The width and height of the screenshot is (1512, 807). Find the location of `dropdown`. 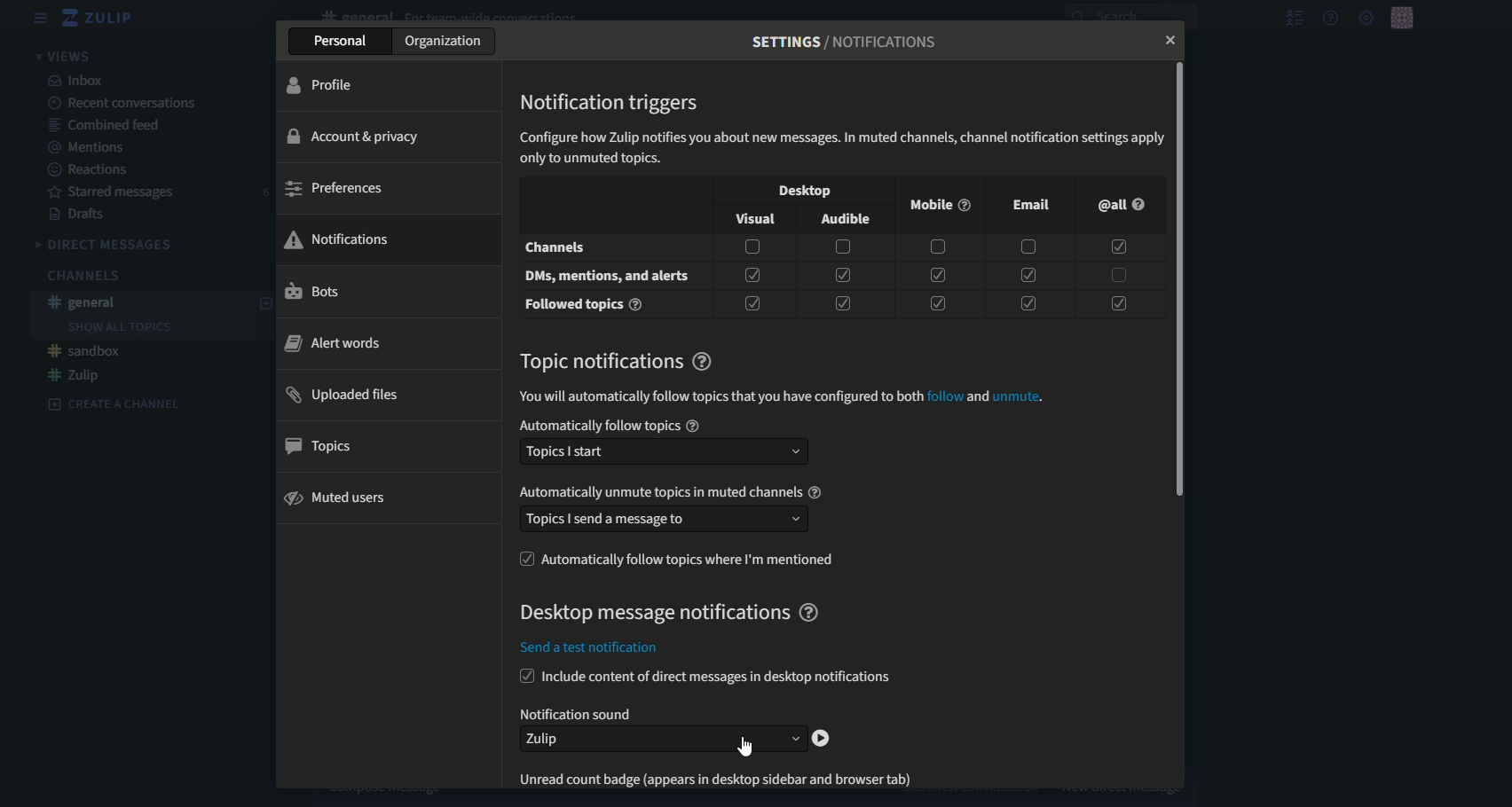

dropdown is located at coordinates (659, 740).